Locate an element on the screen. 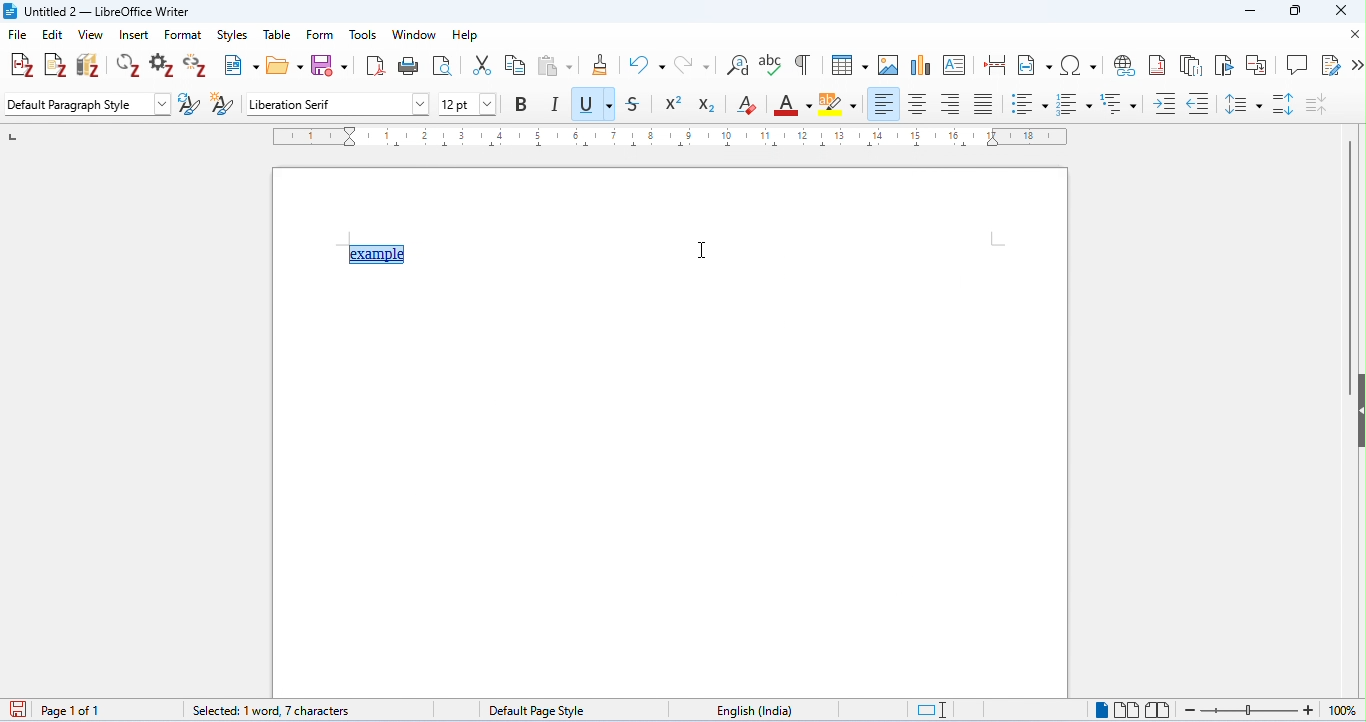  multipage view is located at coordinates (1125, 709).